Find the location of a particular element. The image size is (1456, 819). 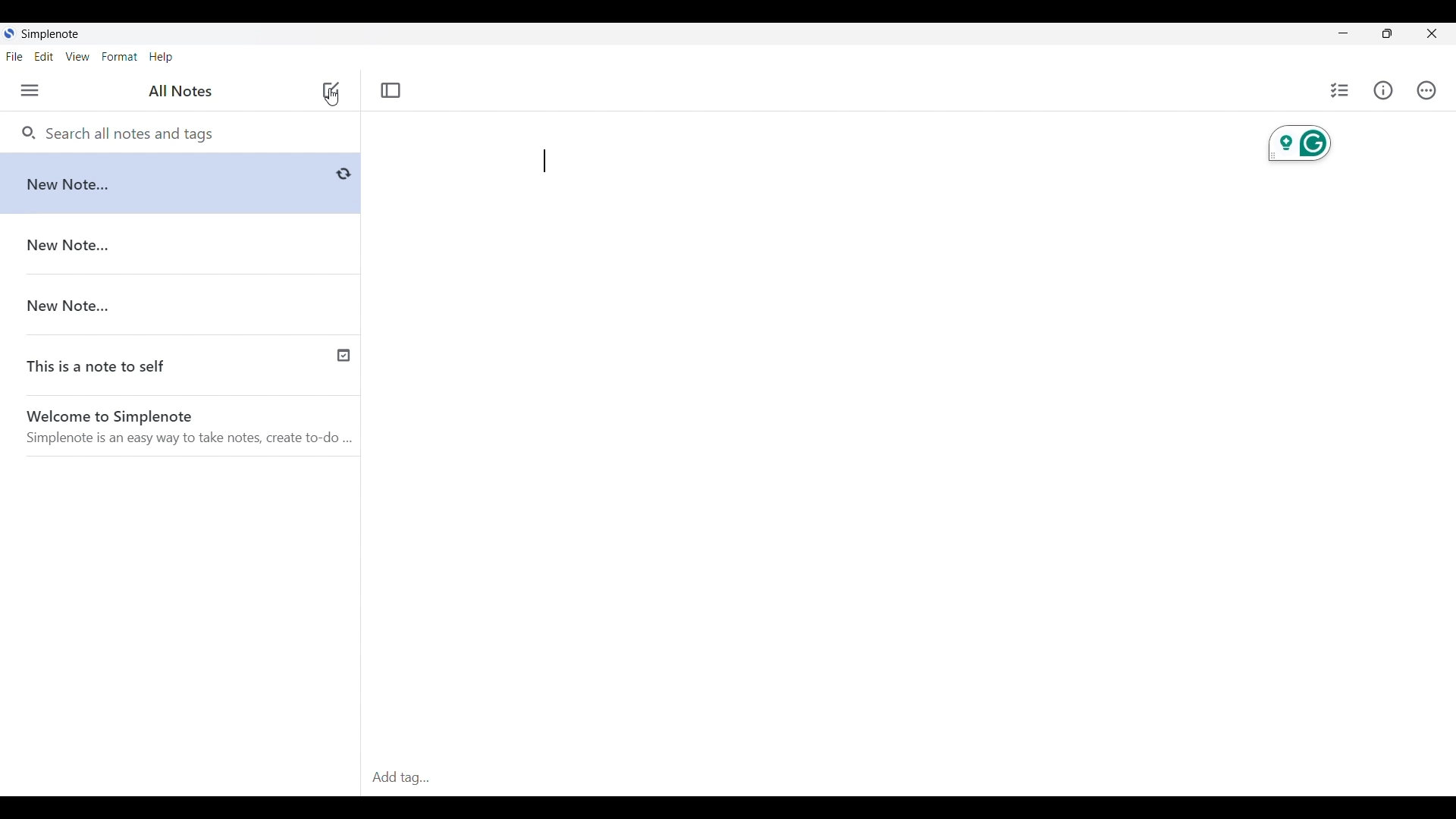

Minimize is located at coordinates (1344, 33).